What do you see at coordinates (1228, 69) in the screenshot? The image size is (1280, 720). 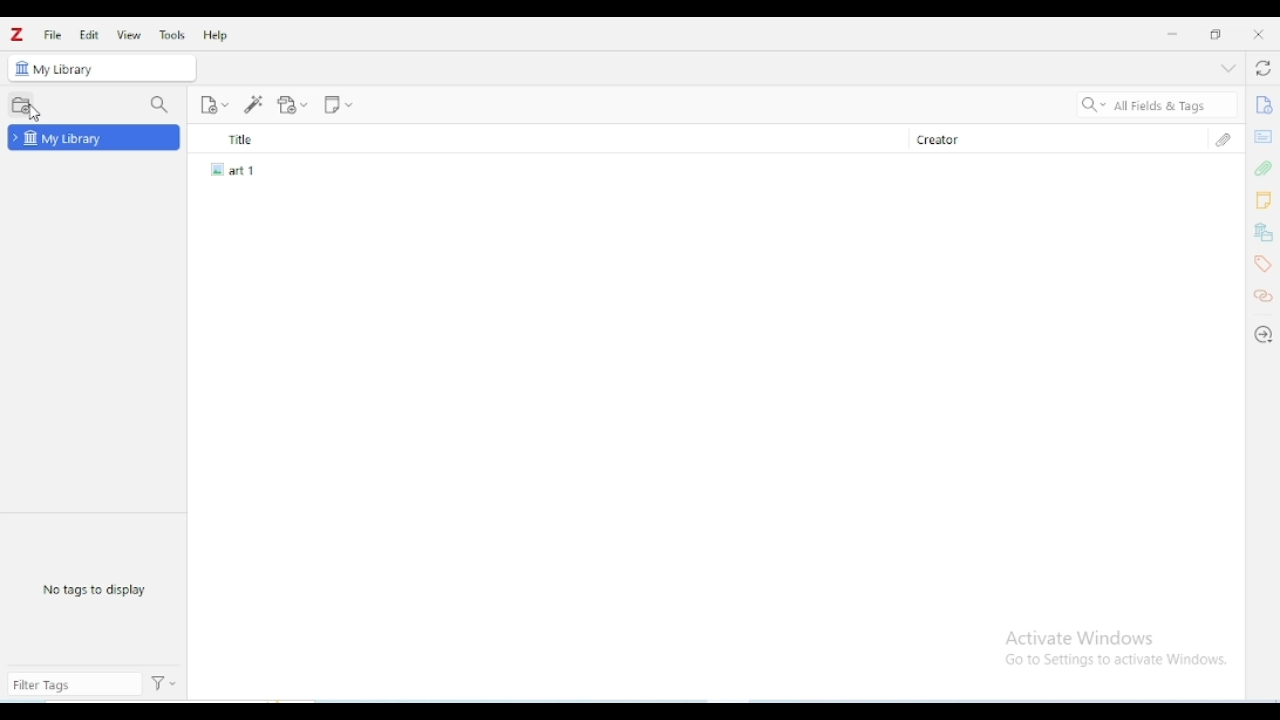 I see `collapse section` at bounding box center [1228, 69].